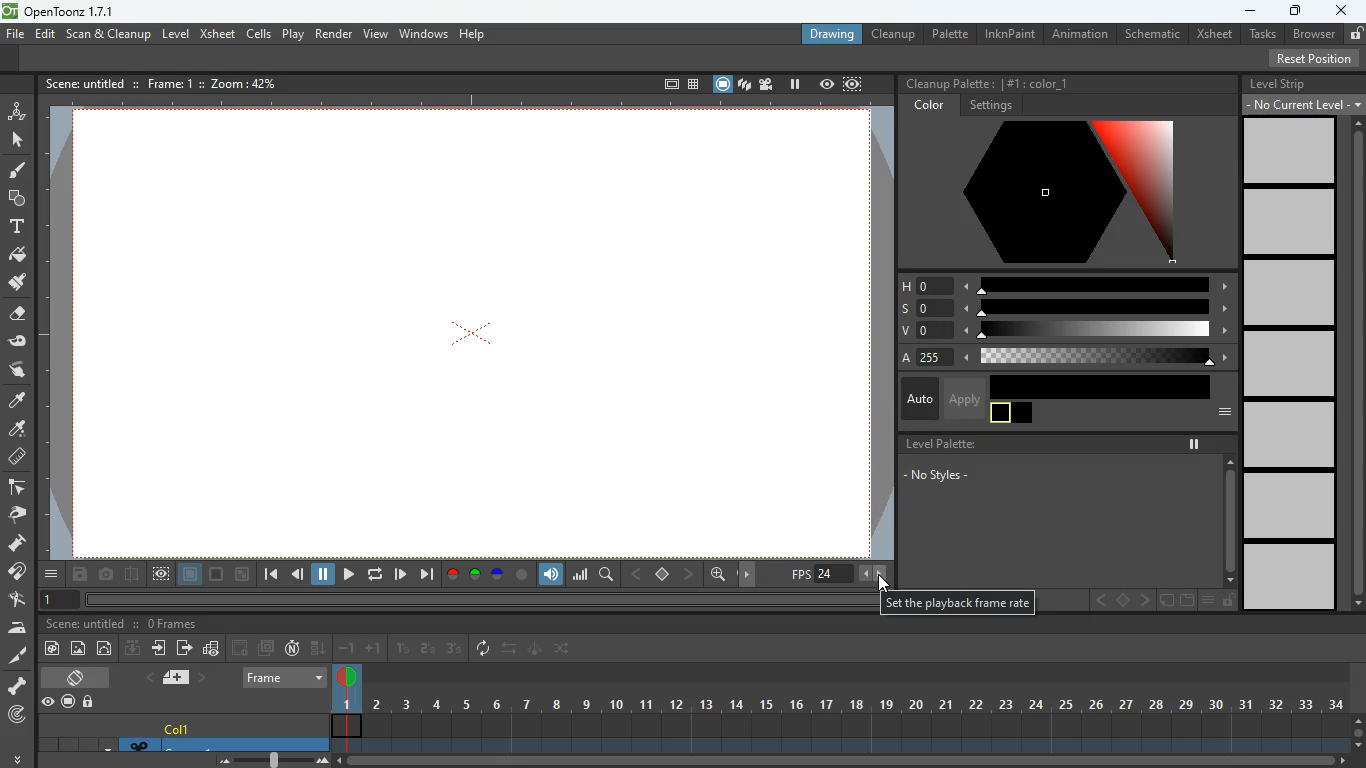 The width and height of the screenshot is (1366, 768). I want to click on edit, so click(106, 650).